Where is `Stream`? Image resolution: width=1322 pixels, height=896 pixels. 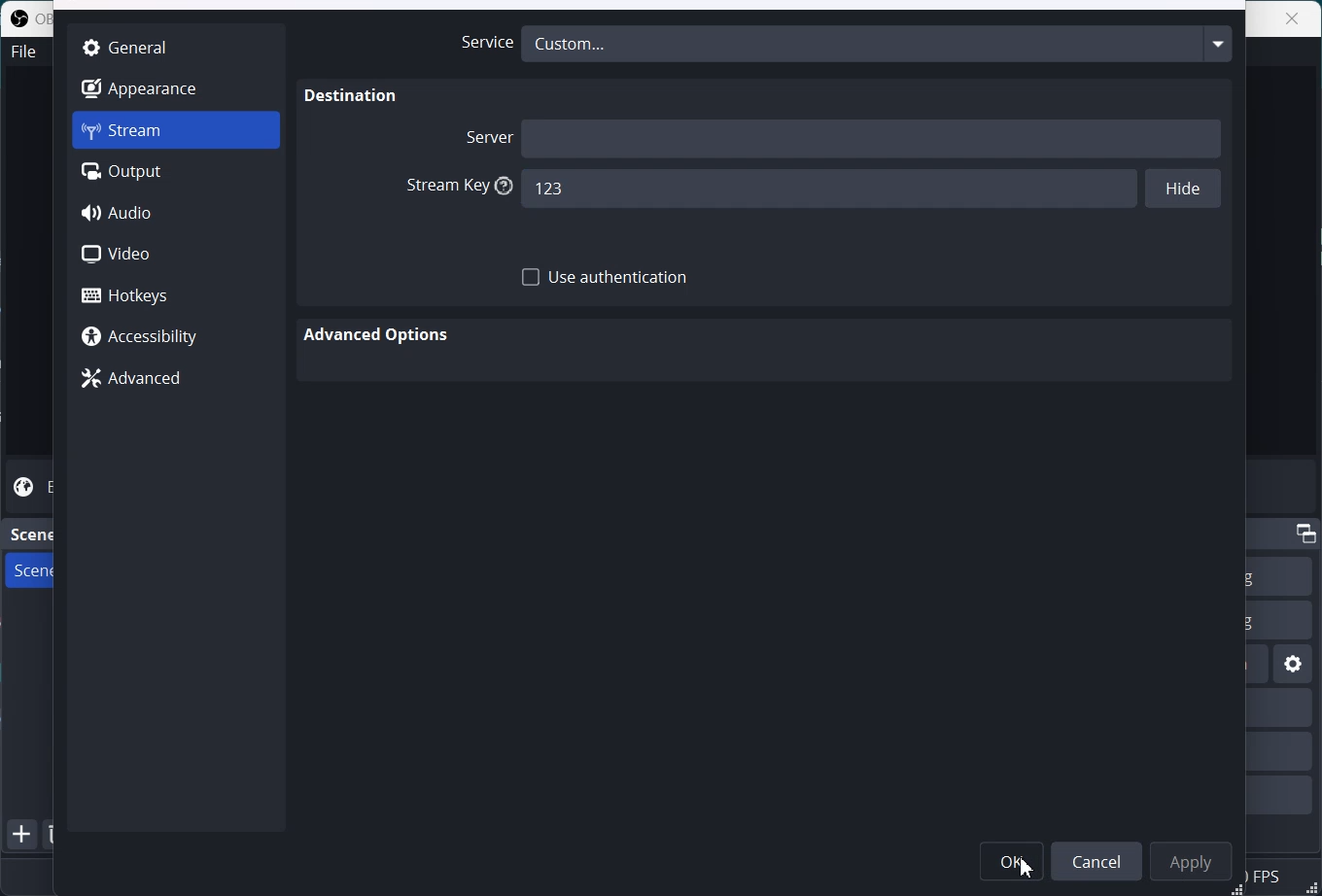
Stream is located at coordinates (176, 130).